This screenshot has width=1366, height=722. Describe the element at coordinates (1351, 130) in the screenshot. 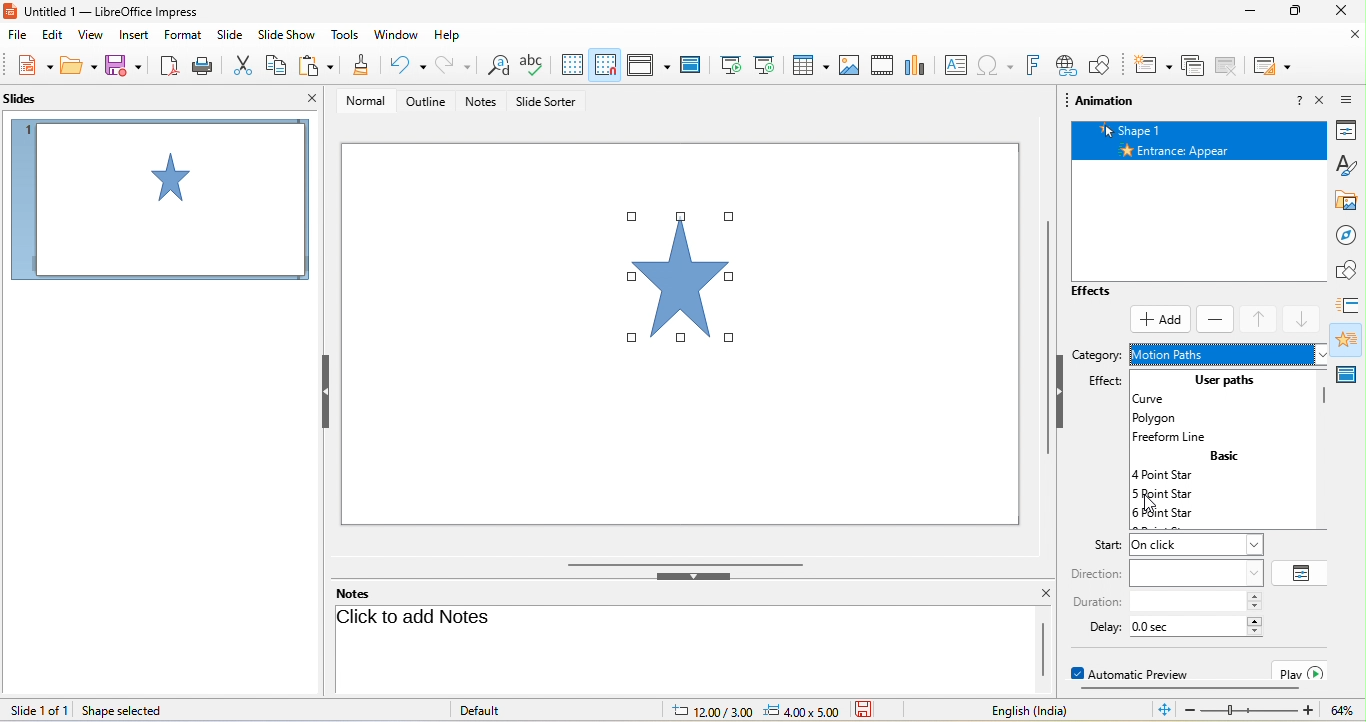

I see `properties` at that location.